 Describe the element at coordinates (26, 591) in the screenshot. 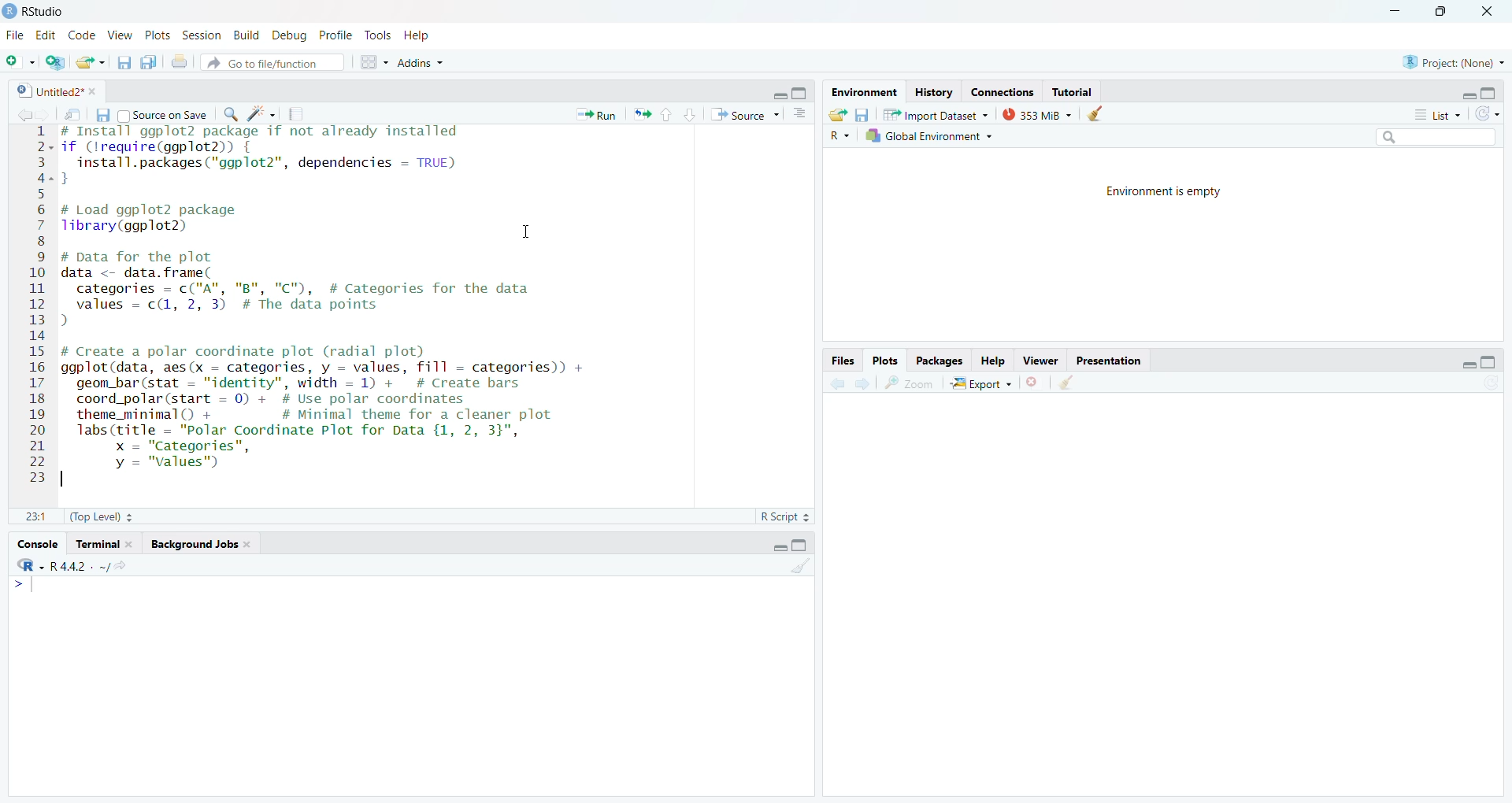

I see `typing cursor` at that location.